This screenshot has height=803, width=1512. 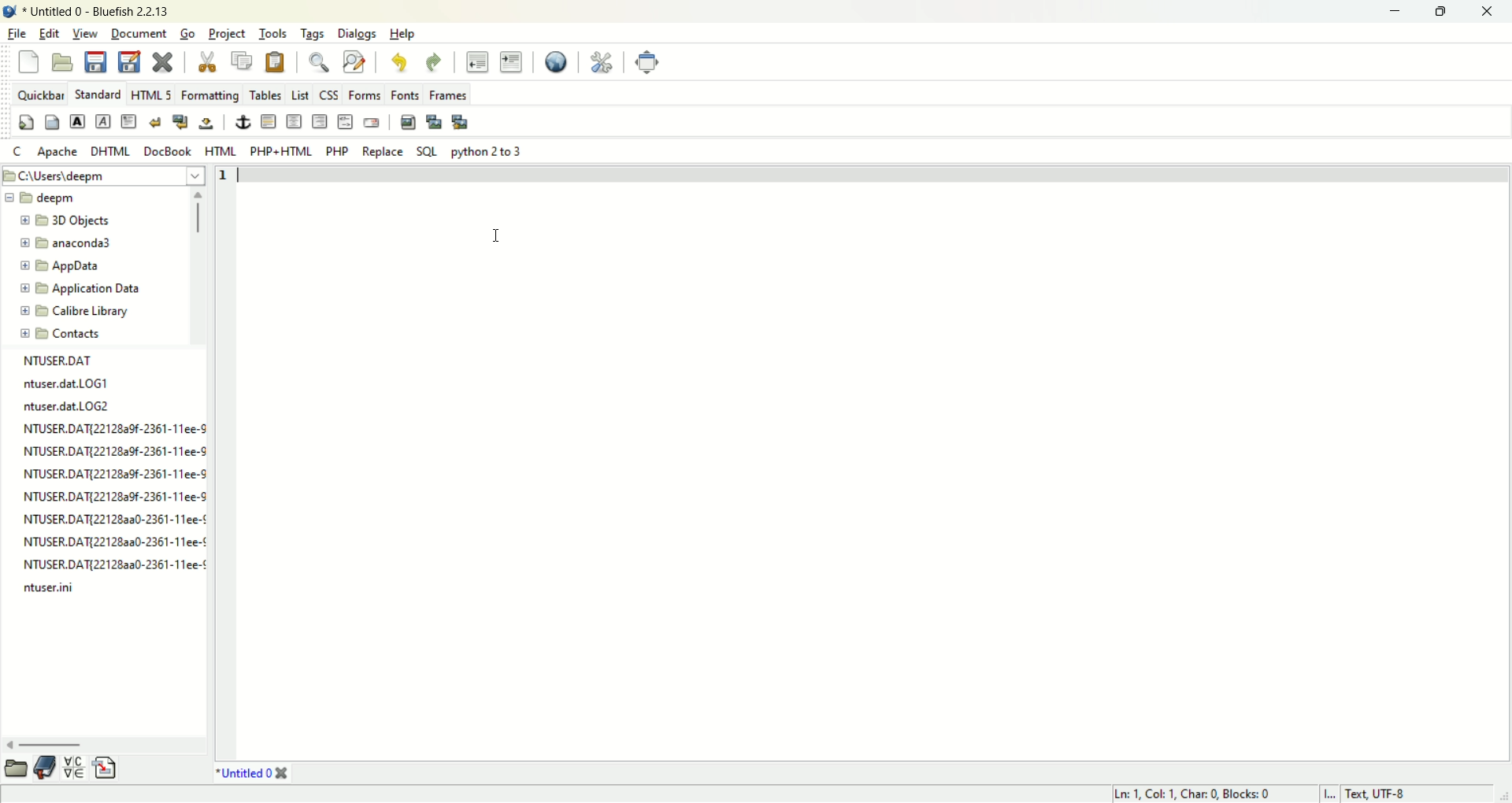 I want to click on location, so click(x=91, y=177).